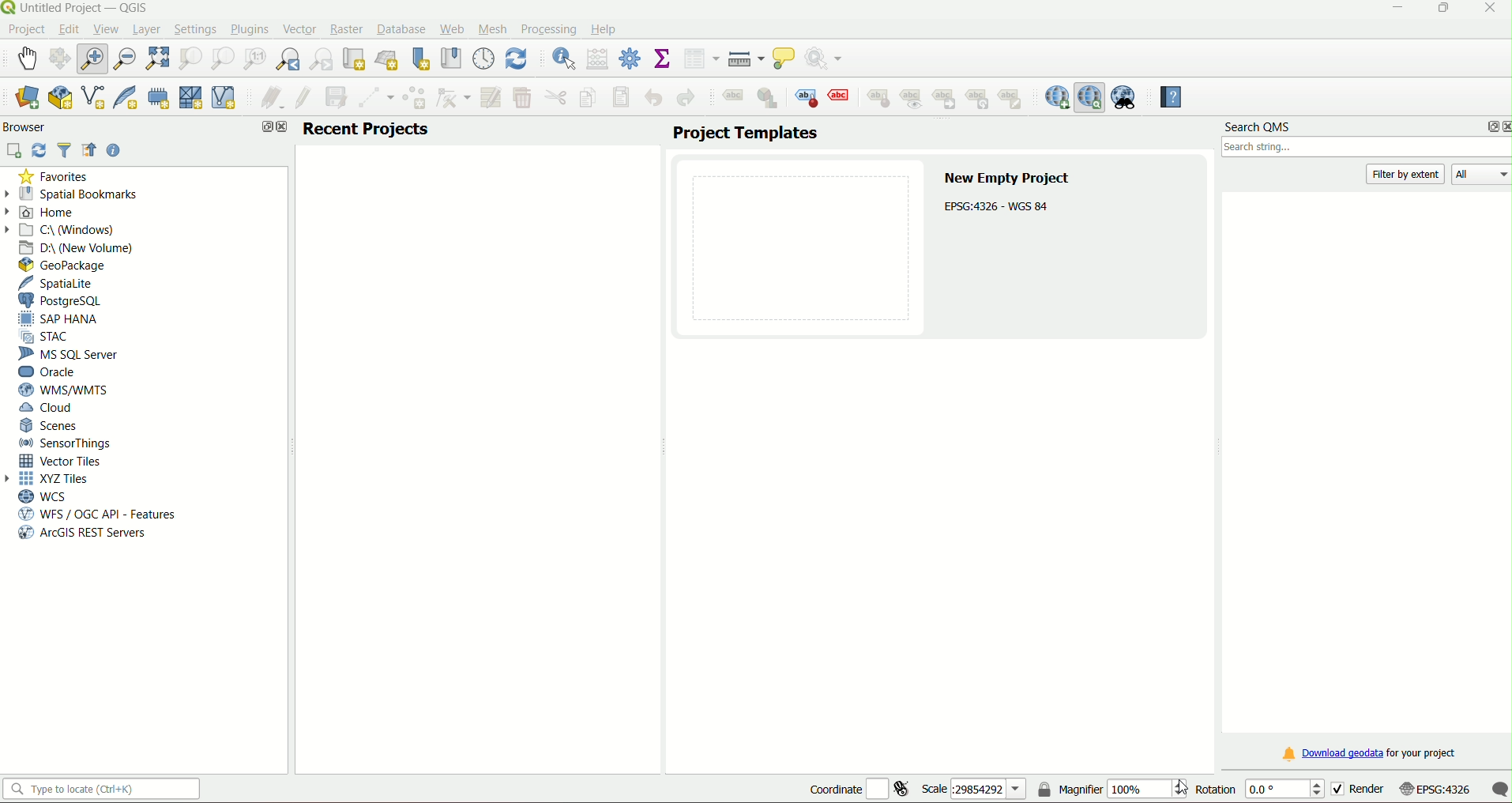  What do you see at coordinates (829, 59) in the screenshot?
I see `run feature action` at bounding box center [829, 59].